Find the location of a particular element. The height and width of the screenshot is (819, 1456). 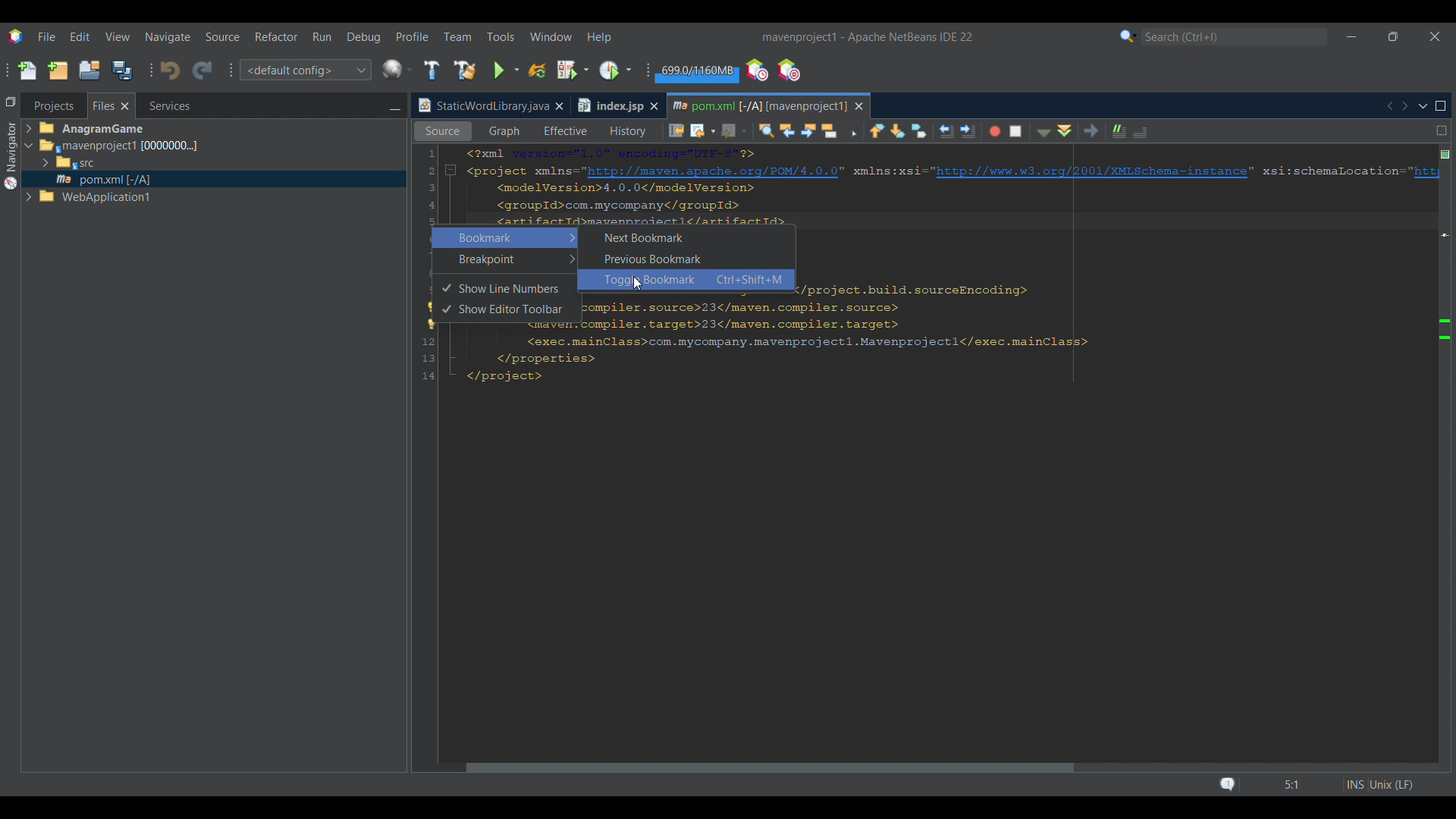

Help menu is located at coordinates (598, 38).